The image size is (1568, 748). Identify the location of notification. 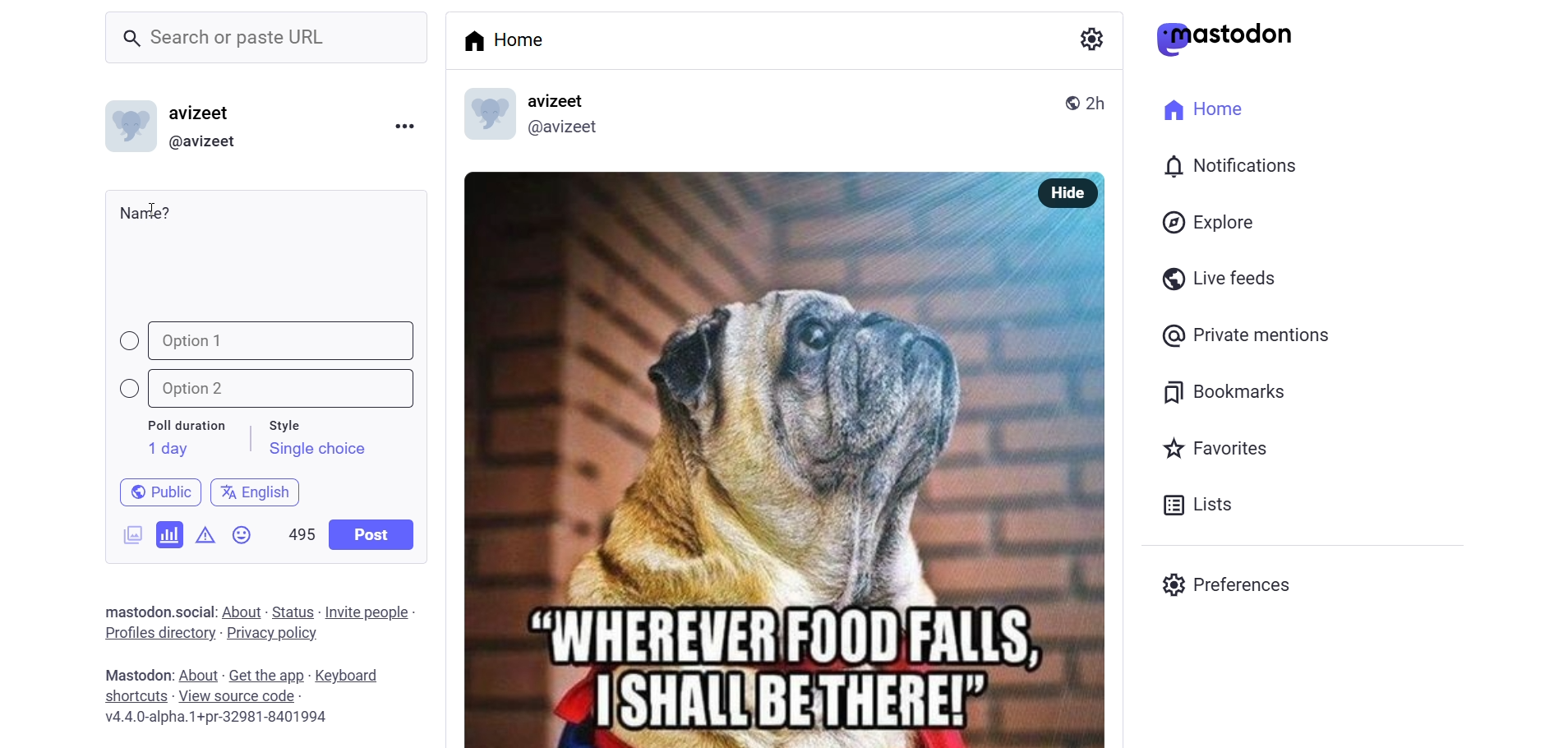
(1228, 168).